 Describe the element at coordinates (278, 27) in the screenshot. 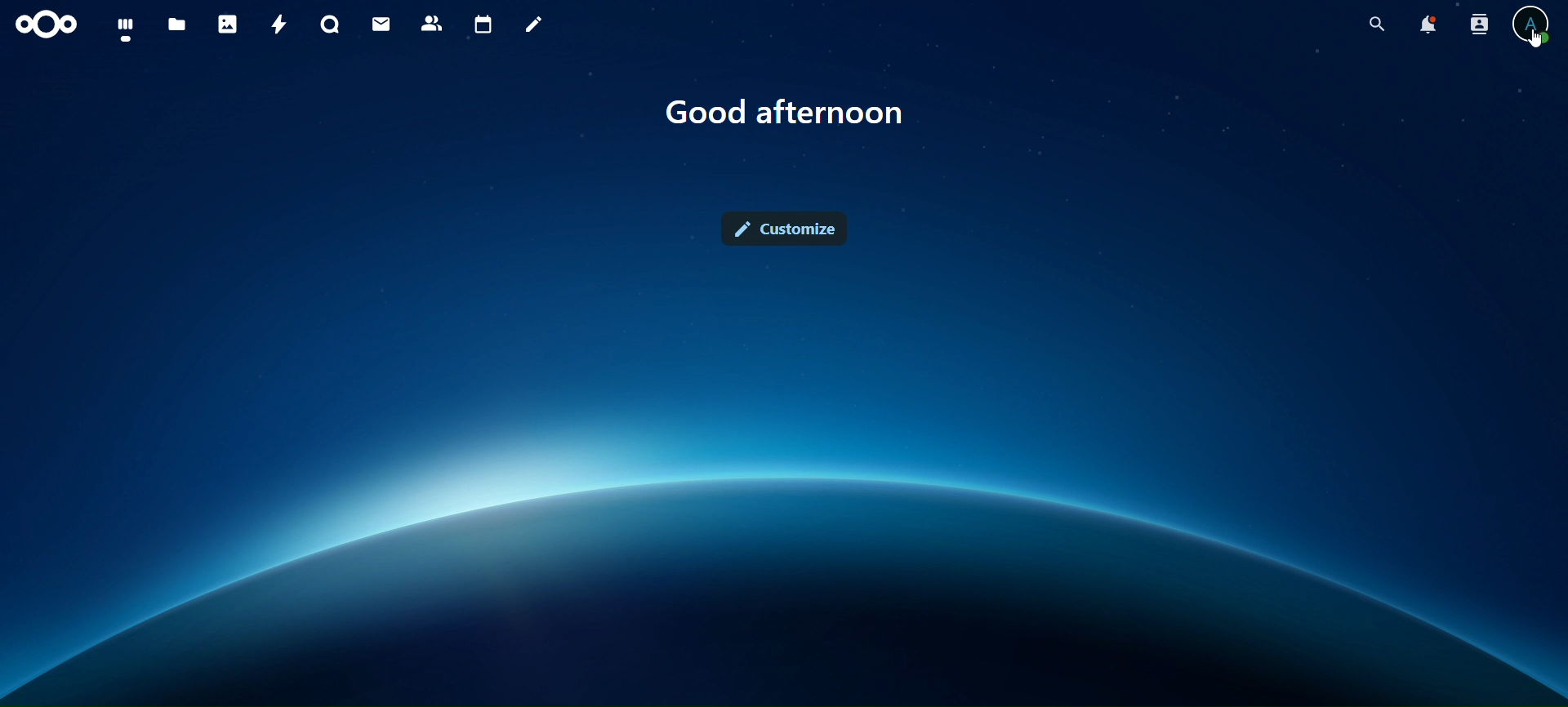

I see `activity` at that location.